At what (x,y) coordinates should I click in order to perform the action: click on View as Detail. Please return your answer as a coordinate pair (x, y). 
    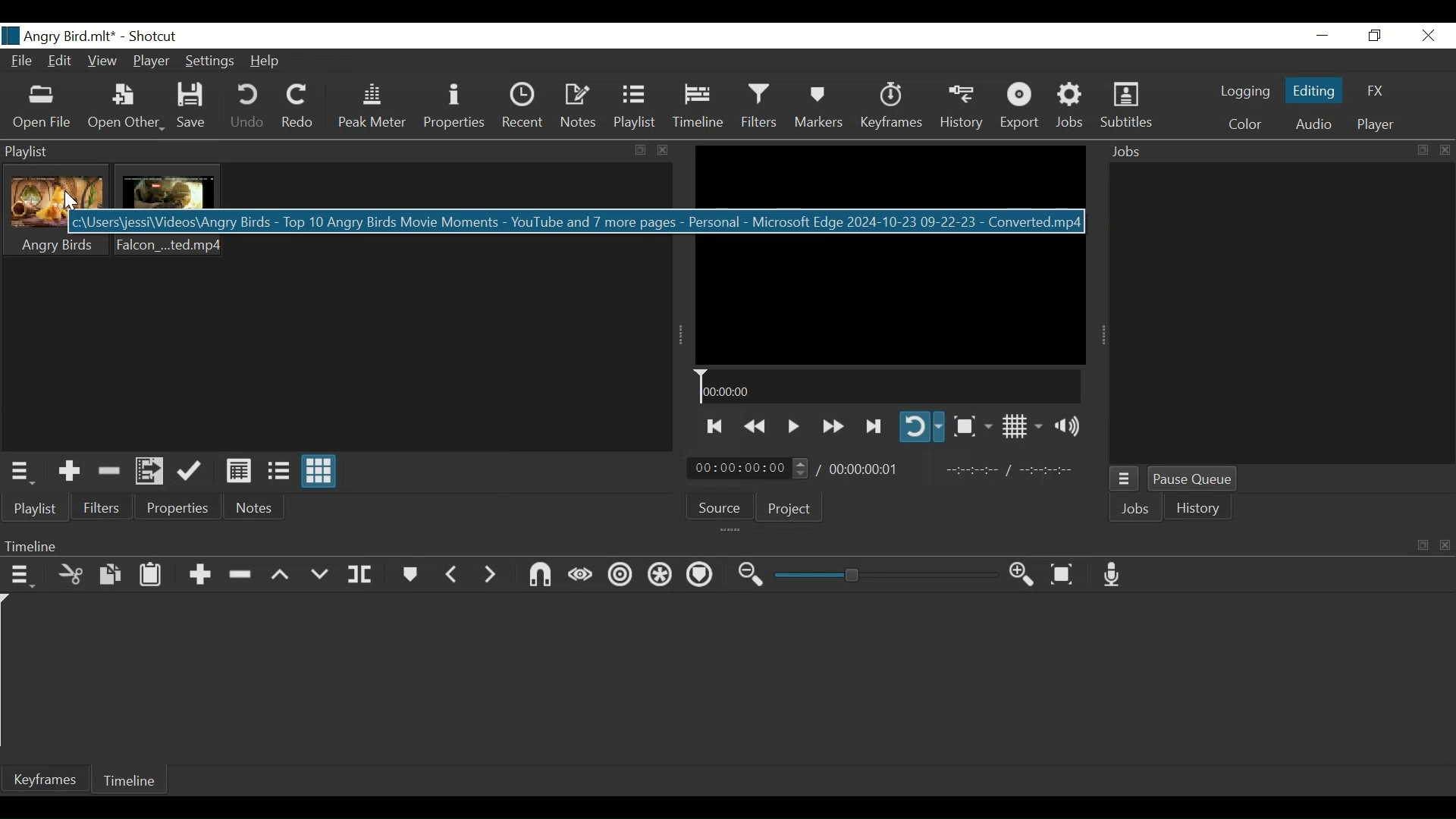
    Looking at the image, I should click on (238, 469).